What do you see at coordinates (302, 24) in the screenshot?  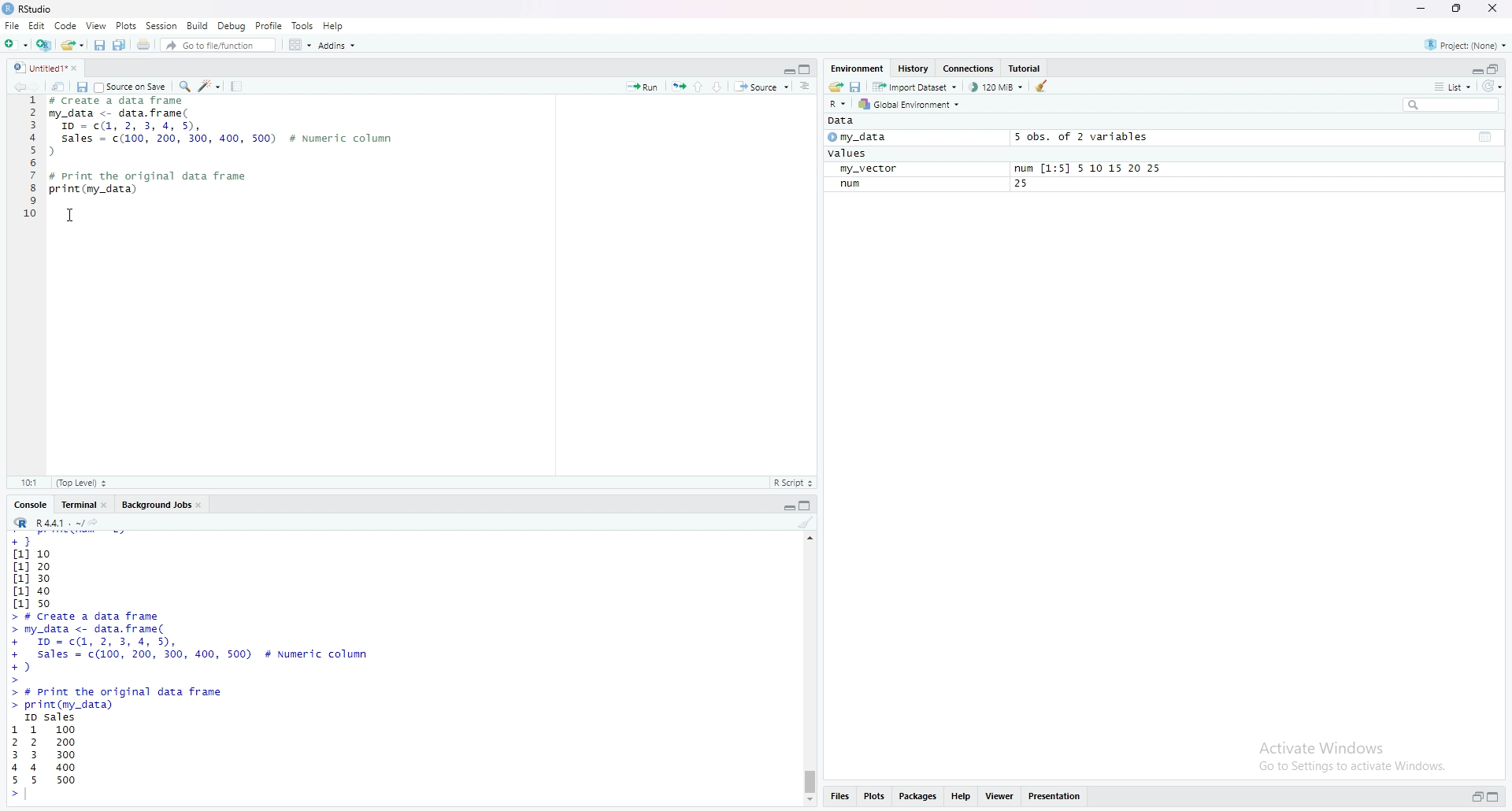 I see `Tools` at bounding box center [302, 24].